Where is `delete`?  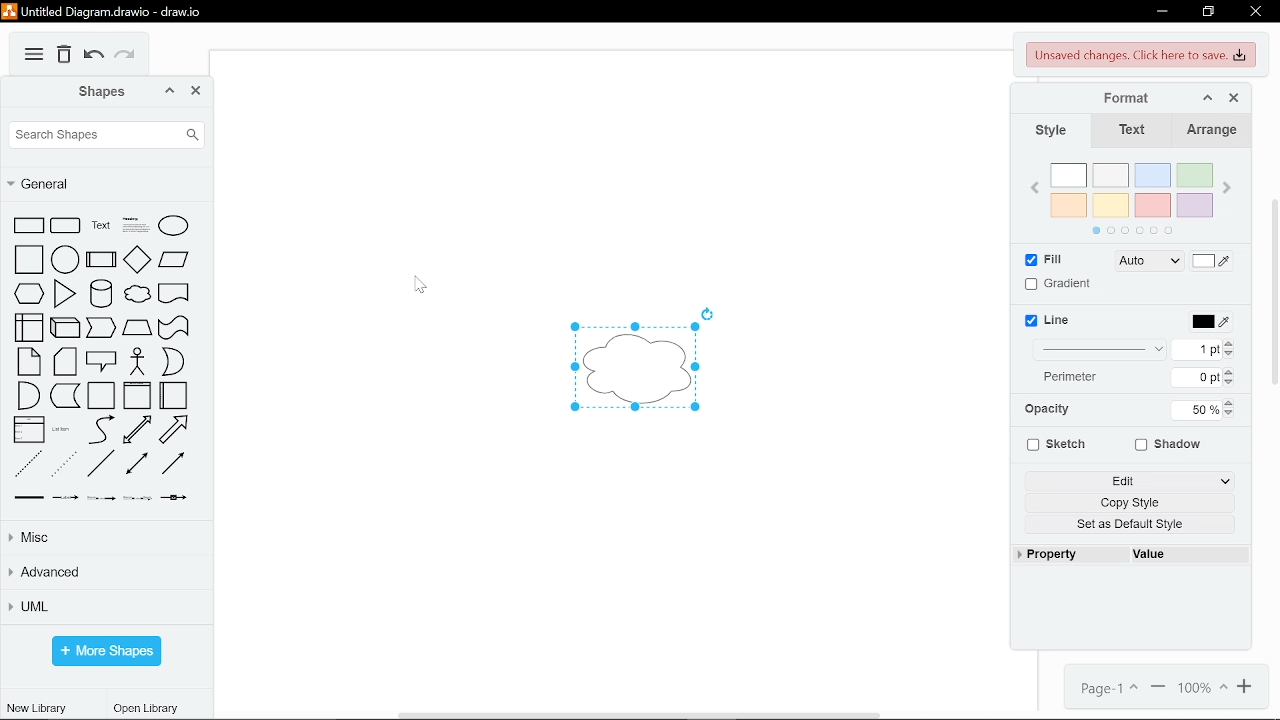
delete is located at coordinates (65, 56).